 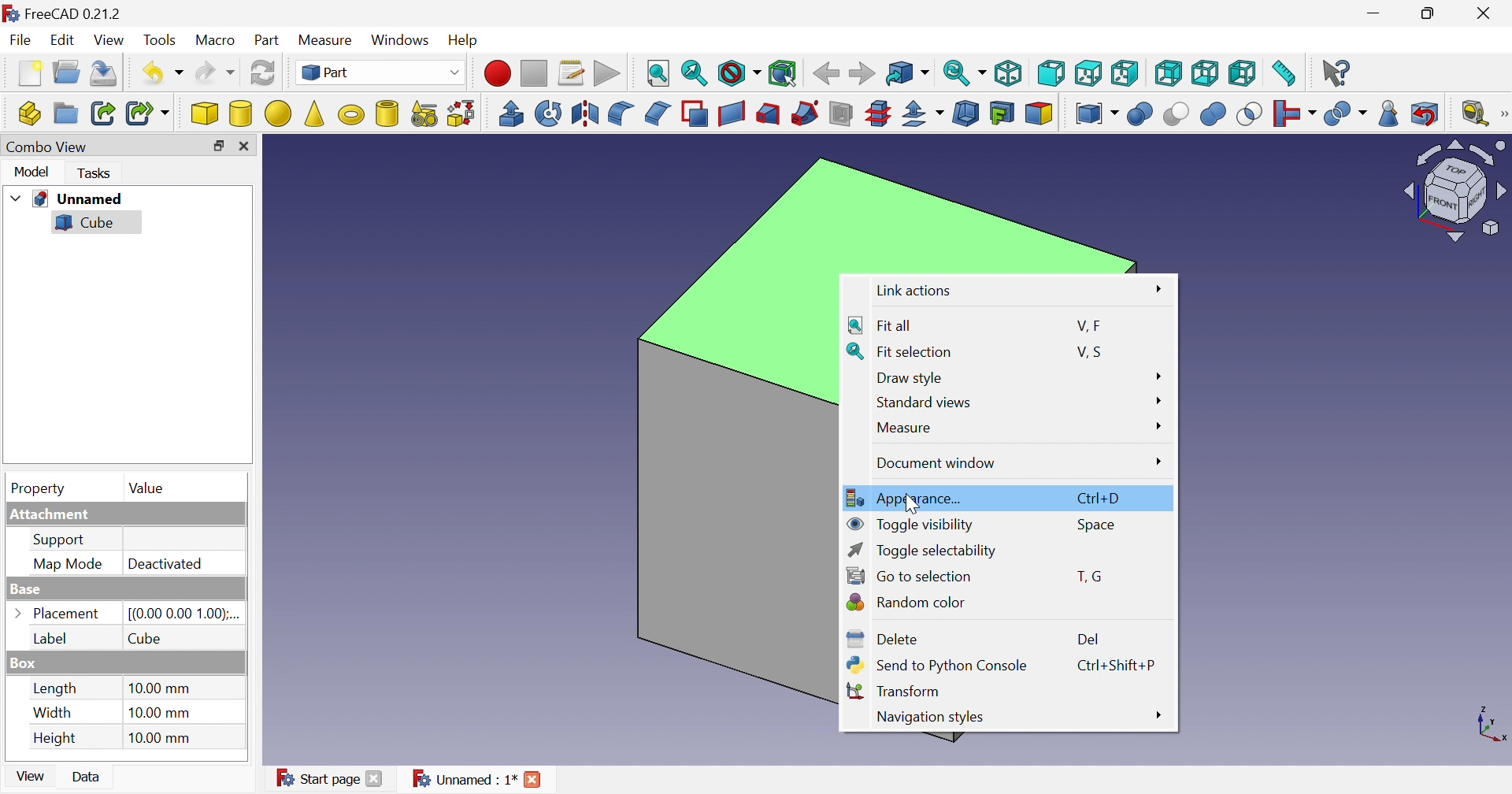 What do you see at coordinates (1243, 74) in the screenshot?
I see `Left` at bounding box center [1243, 74].